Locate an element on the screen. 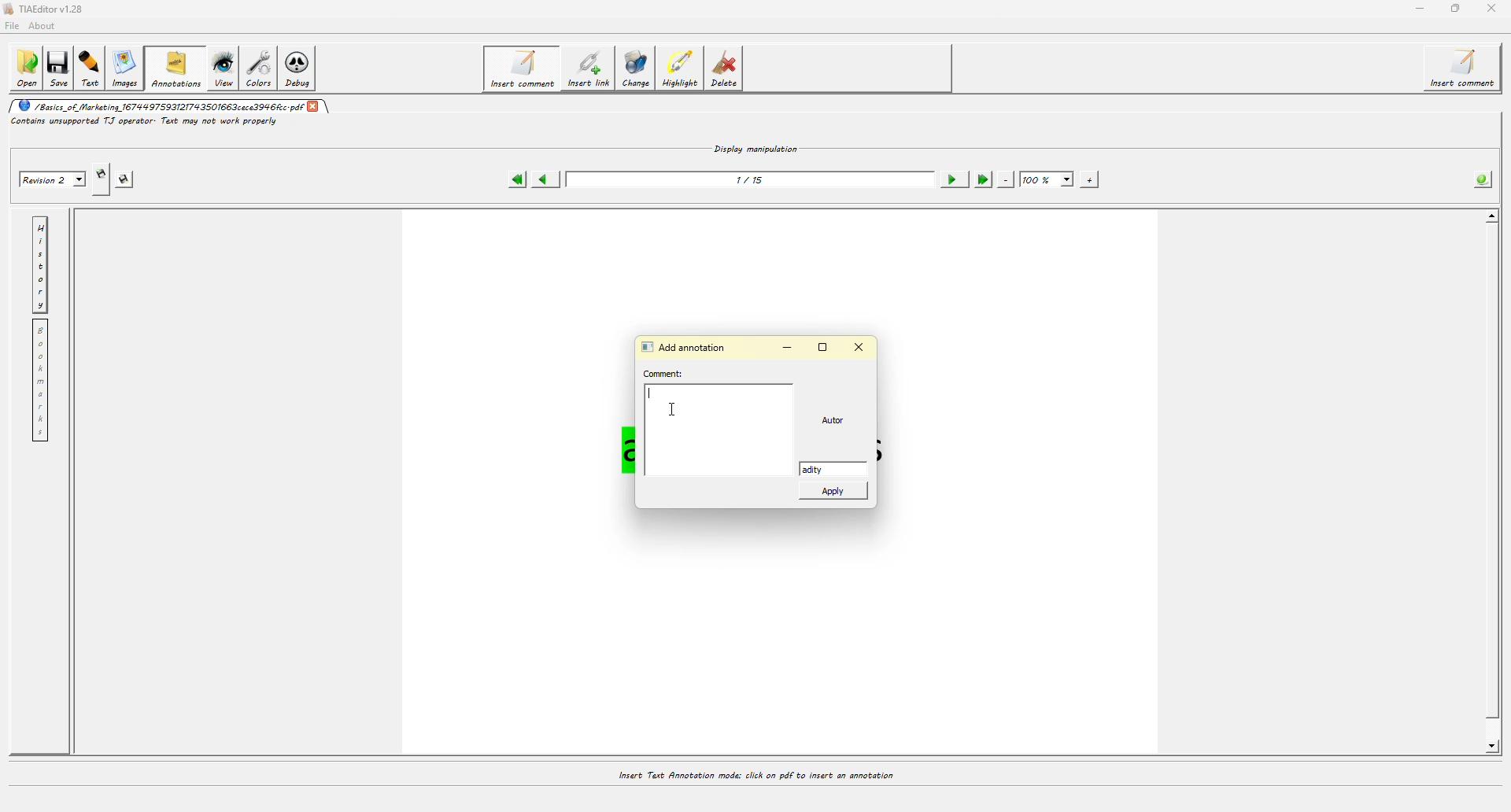 The width and height of the screenshot is (1511, 812). scroll bar is located at coordinates (1494, 489).